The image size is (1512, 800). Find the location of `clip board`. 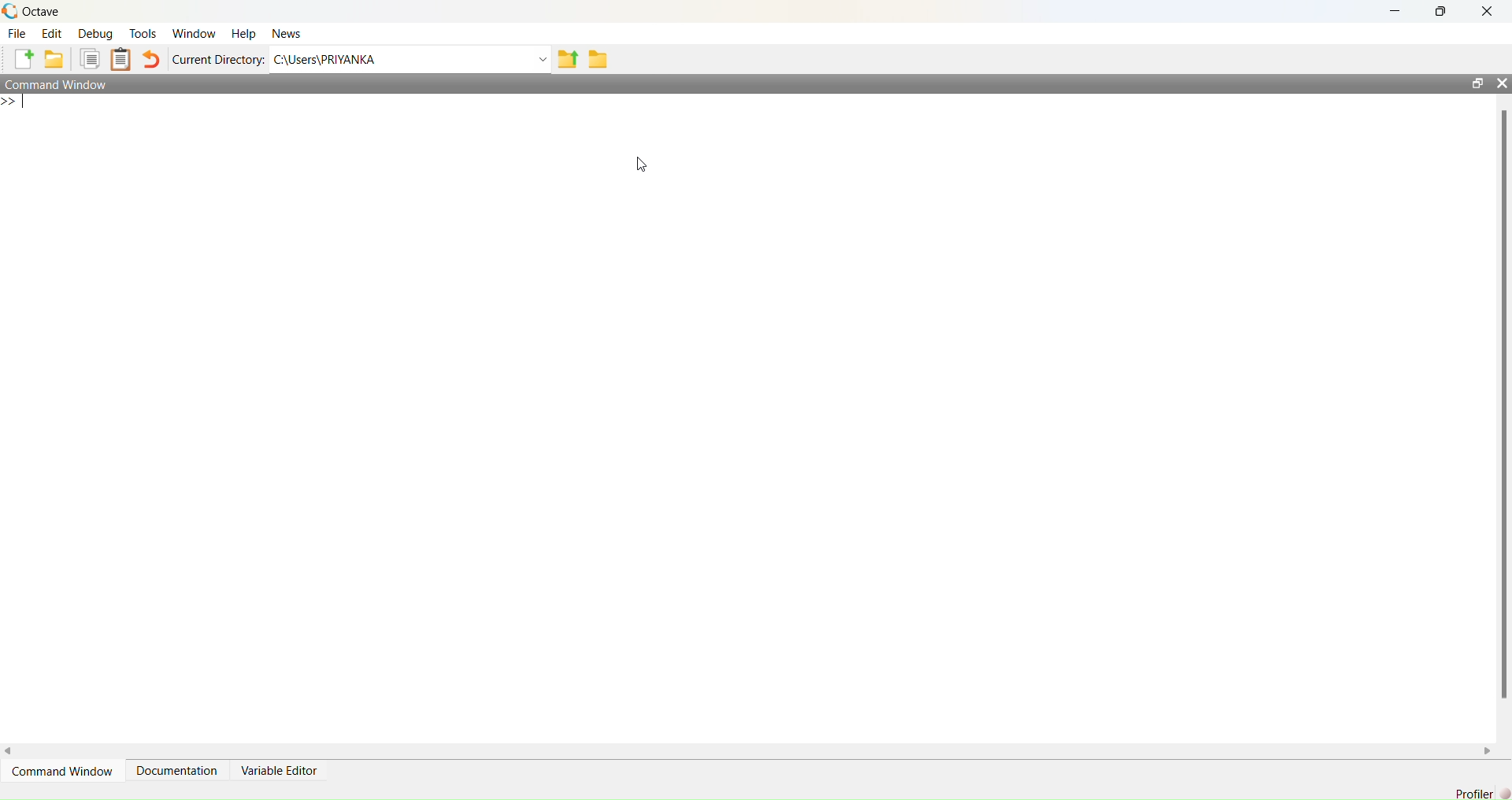

clip board is located at coordinates (120, 59).